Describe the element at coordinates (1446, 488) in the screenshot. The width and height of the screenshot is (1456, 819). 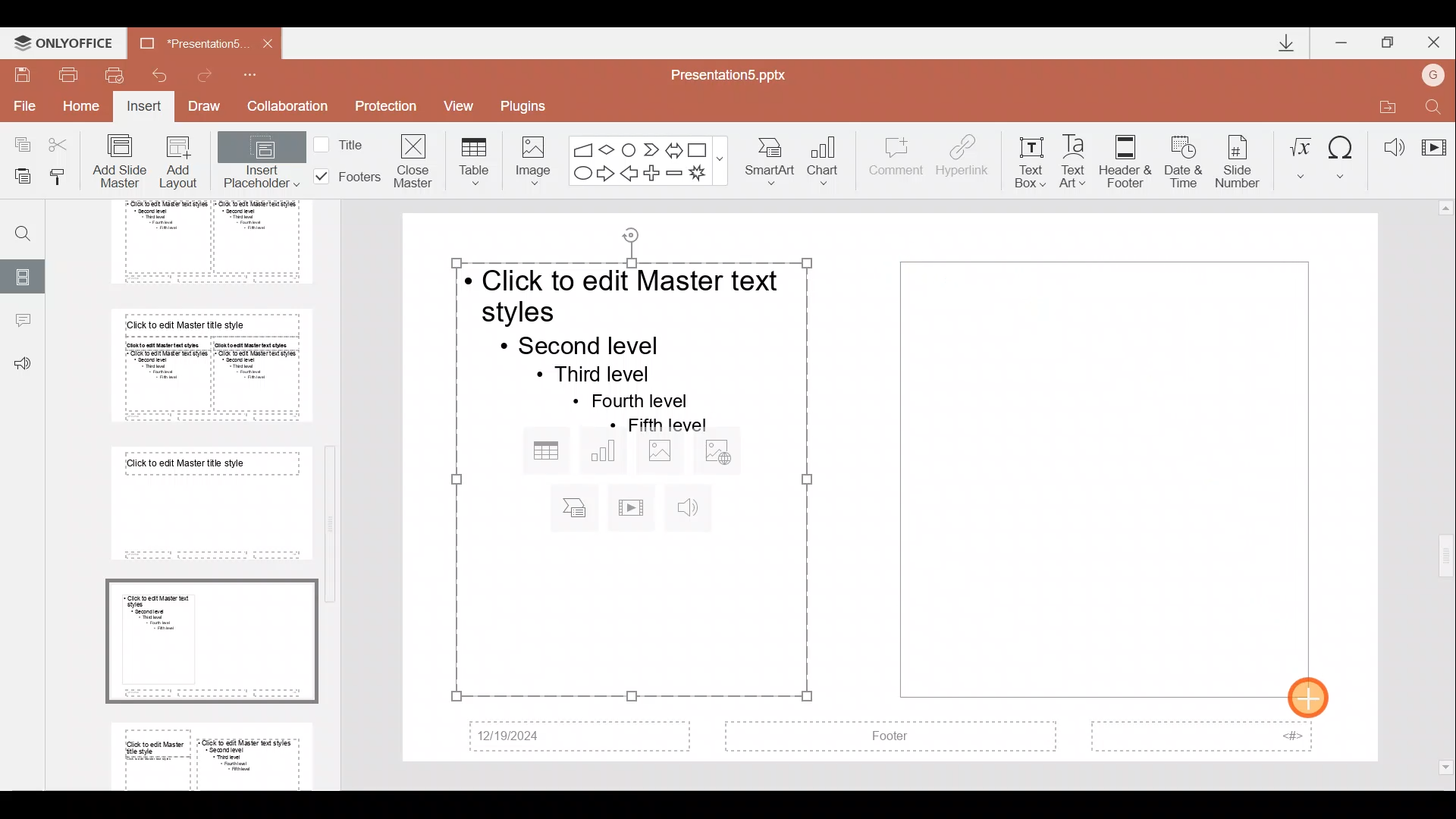
I see `Scroll bar` at that location.